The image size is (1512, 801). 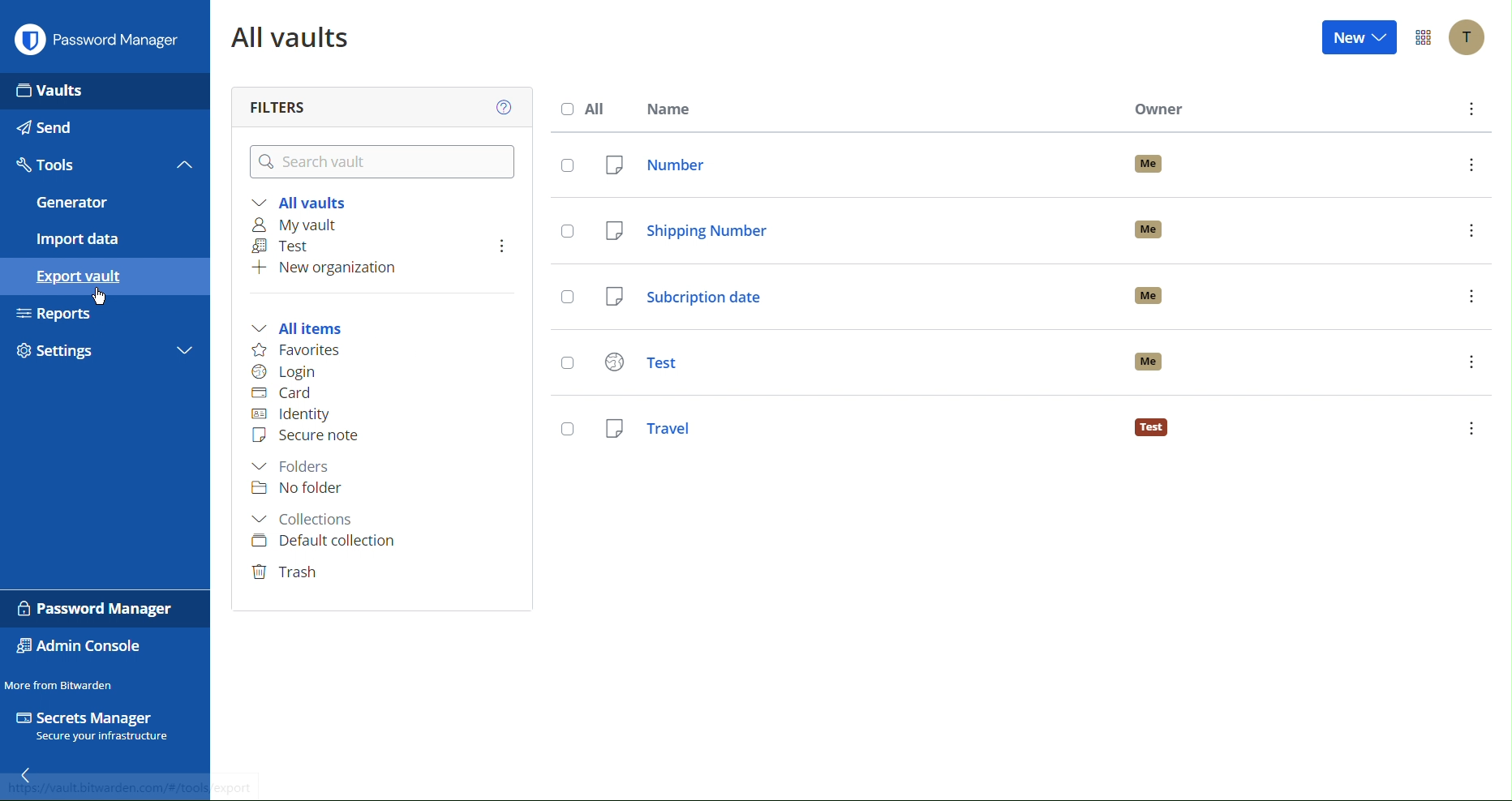 I want to click on cursor, so click(x=98, y=295).